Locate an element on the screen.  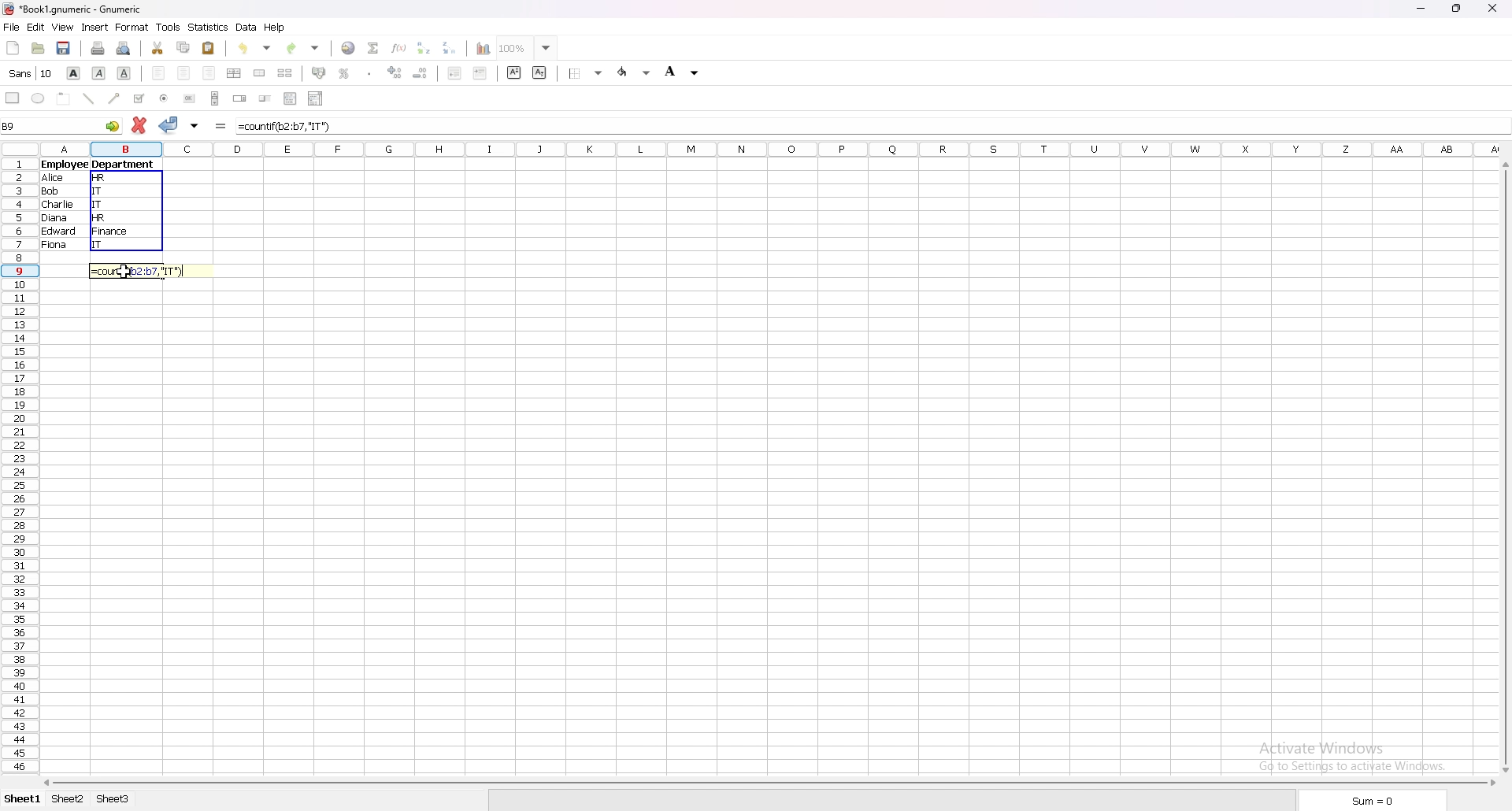
summation is located at coordinates (373, 47).